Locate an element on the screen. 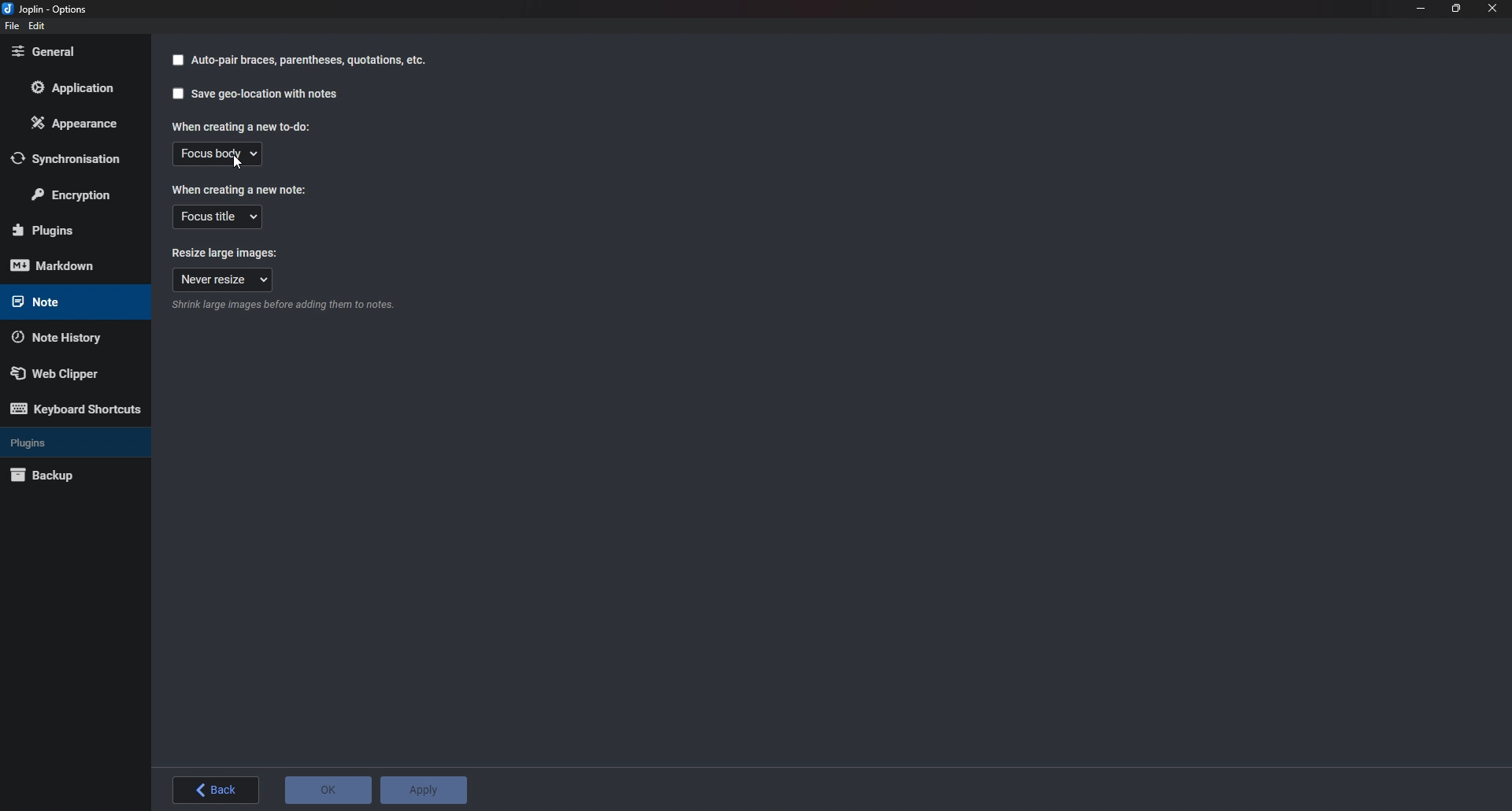 This screenshot has height=811, width=1512. checkbox is located at coordinates (177, 61).